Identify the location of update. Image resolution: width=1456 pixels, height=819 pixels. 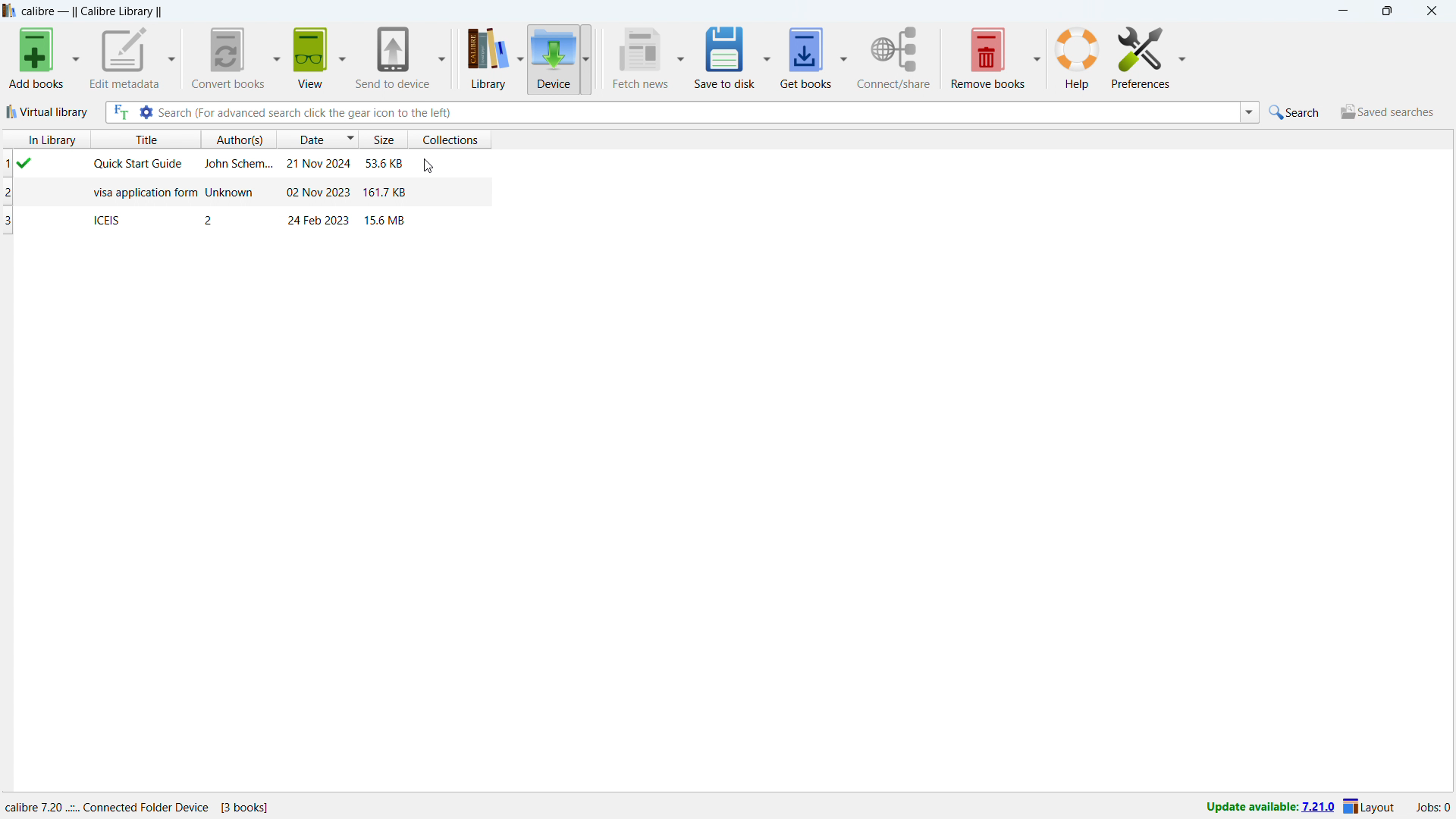
(1269, 808).